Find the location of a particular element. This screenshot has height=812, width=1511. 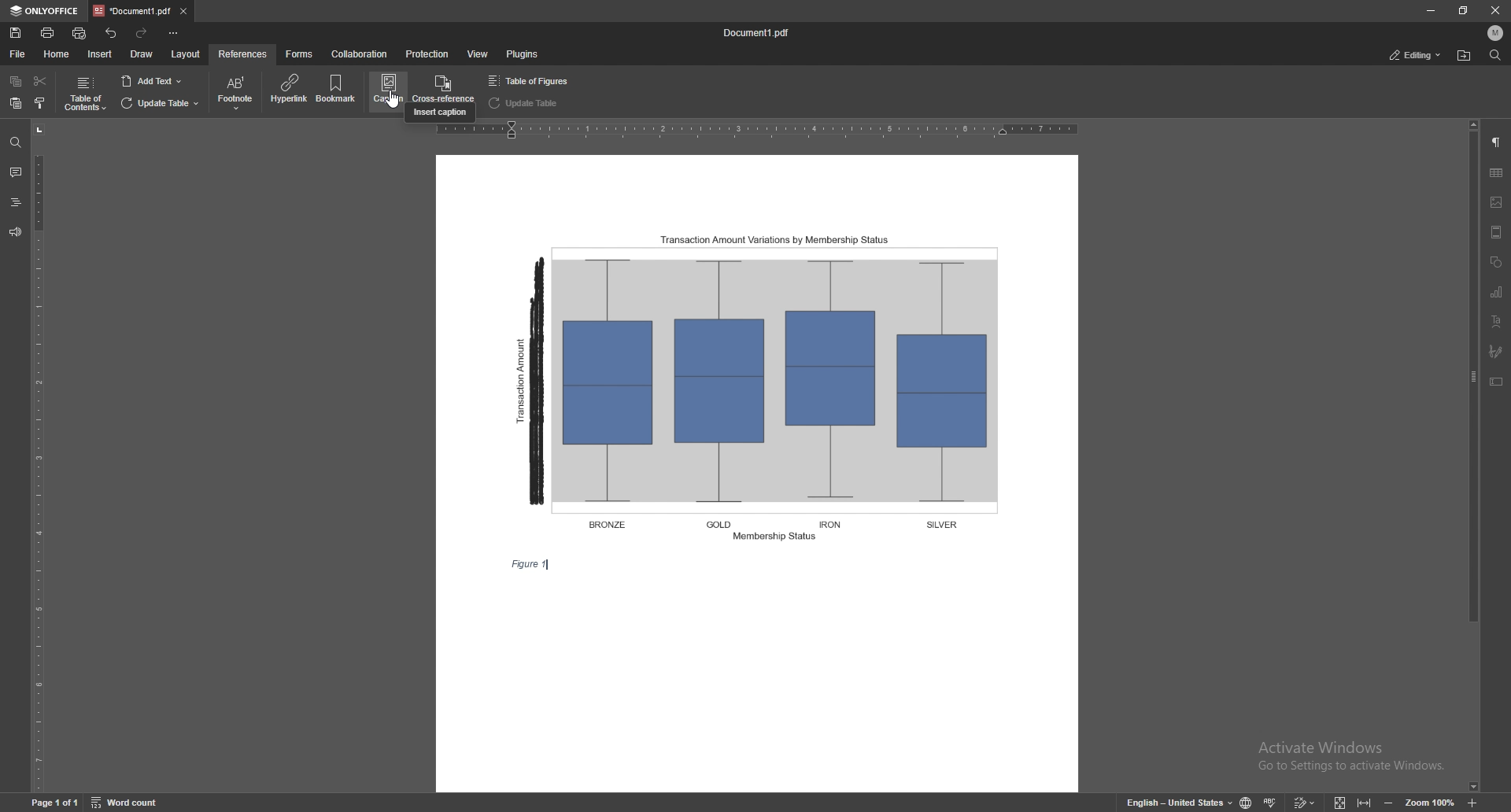

zoom in is located at coordinates (1472, 801).